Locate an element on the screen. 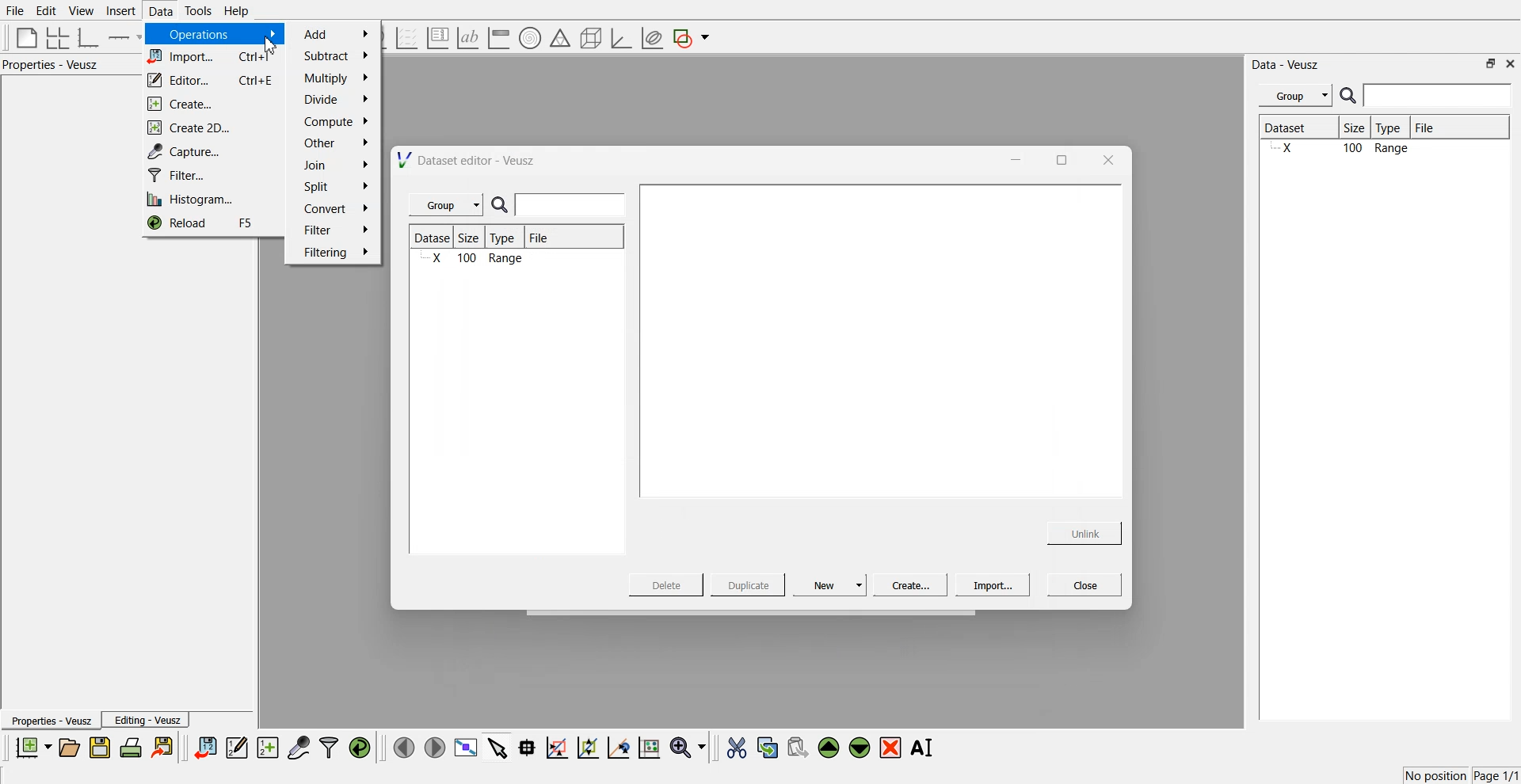 The image size is (1521, 784). Page 1/1 is located at coordinates (1497, 776).